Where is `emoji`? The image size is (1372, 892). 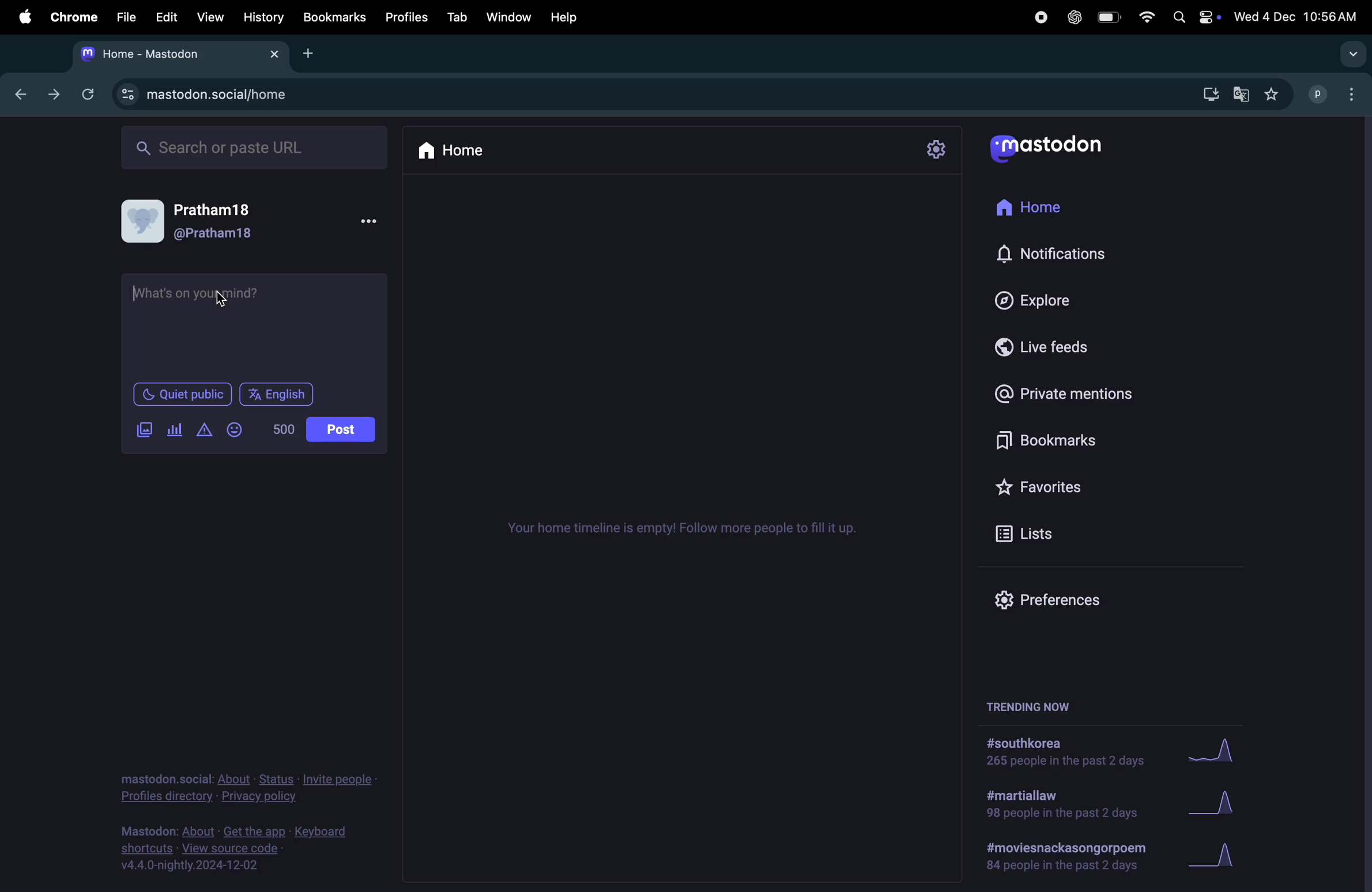
emoji is located at coordinates (236, 430).